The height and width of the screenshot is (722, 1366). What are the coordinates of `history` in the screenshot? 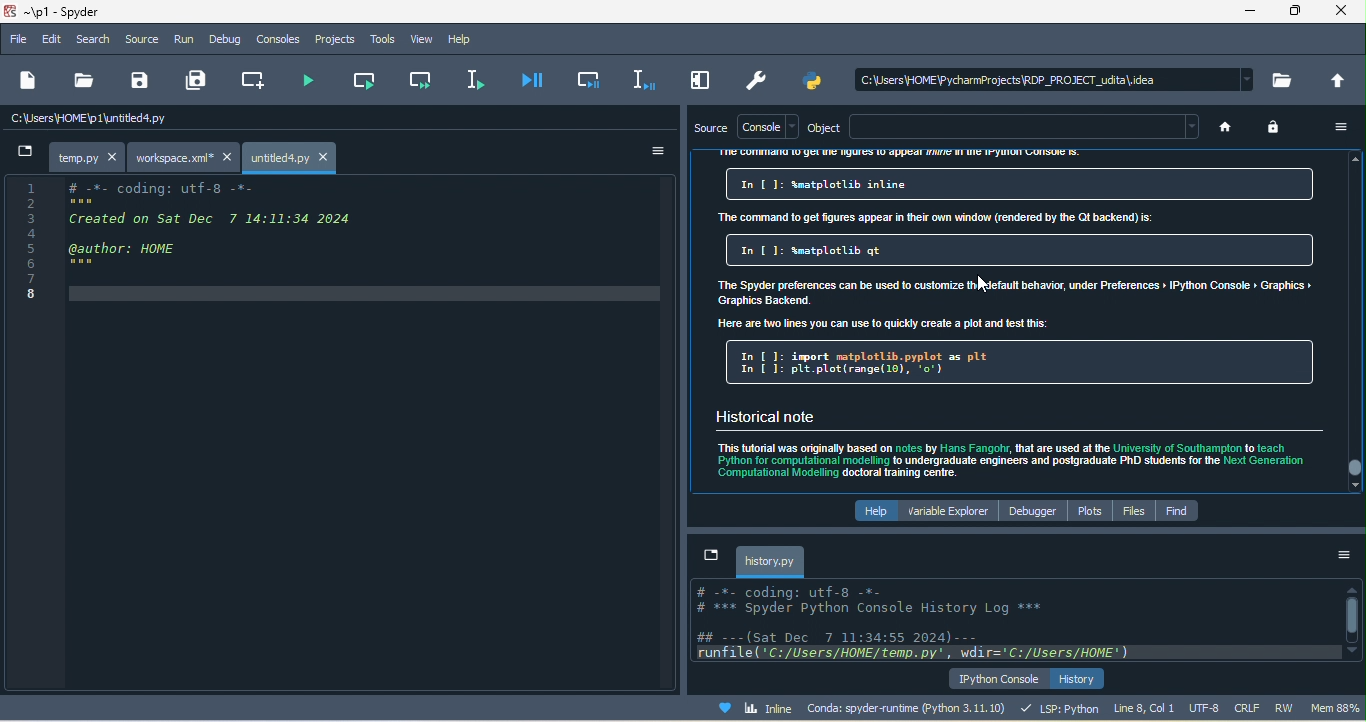 It's located at (1079, 679).